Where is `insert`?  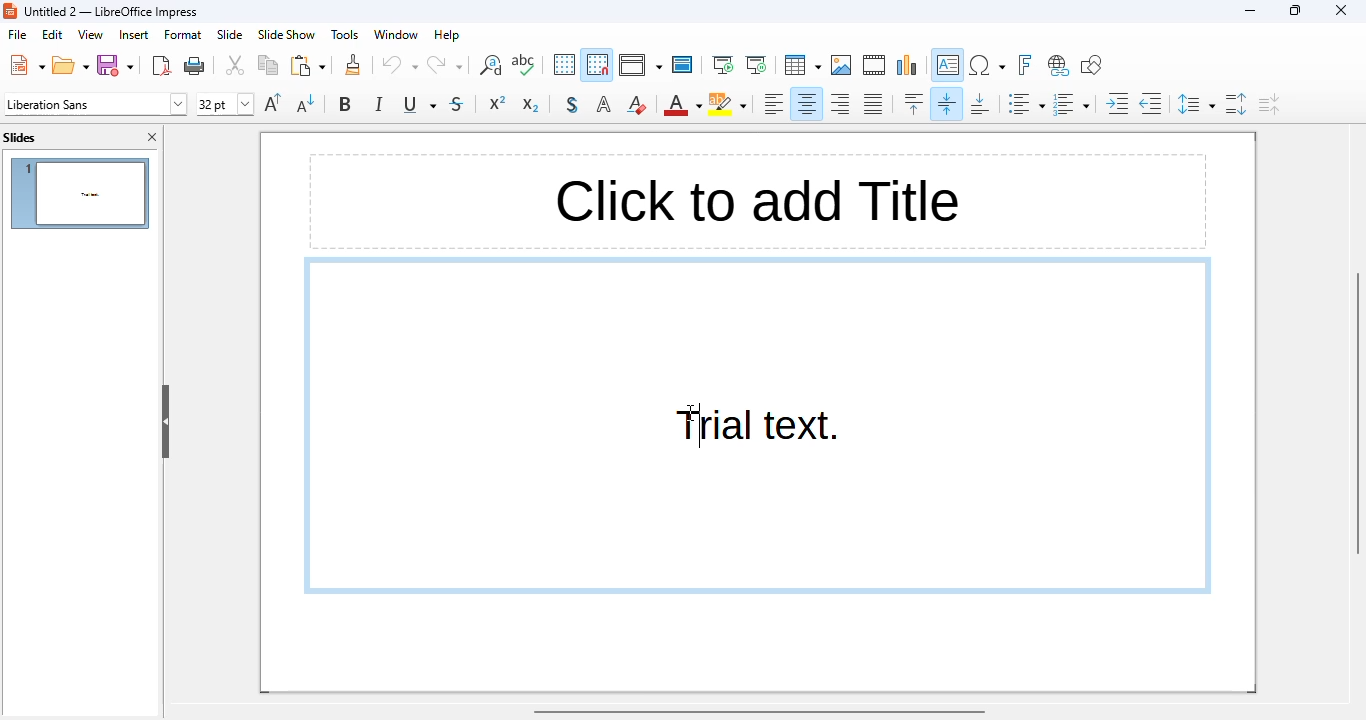
insert is located at coordinates (132, 34).